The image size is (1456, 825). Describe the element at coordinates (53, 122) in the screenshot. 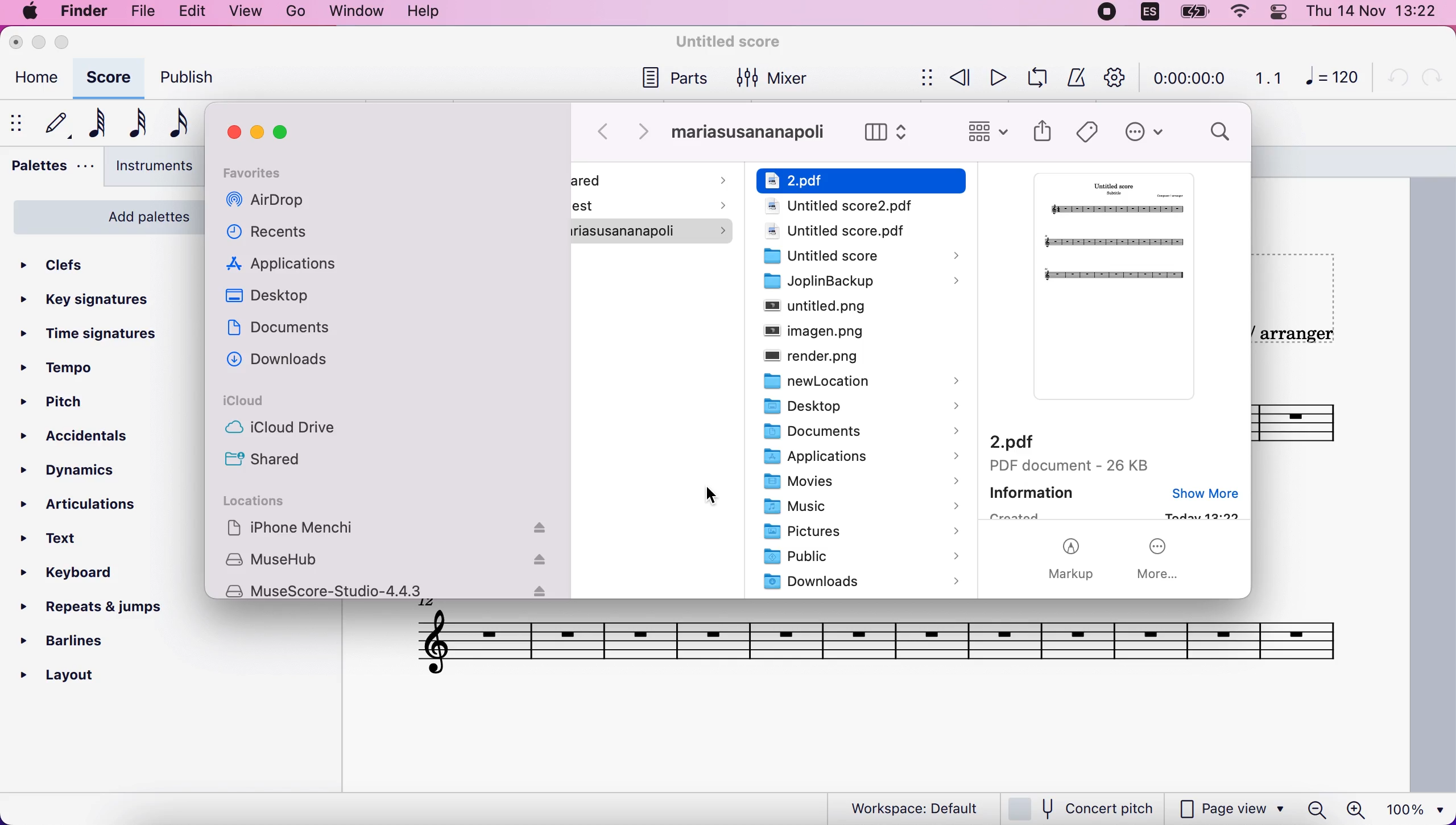

I see `default` at that location.